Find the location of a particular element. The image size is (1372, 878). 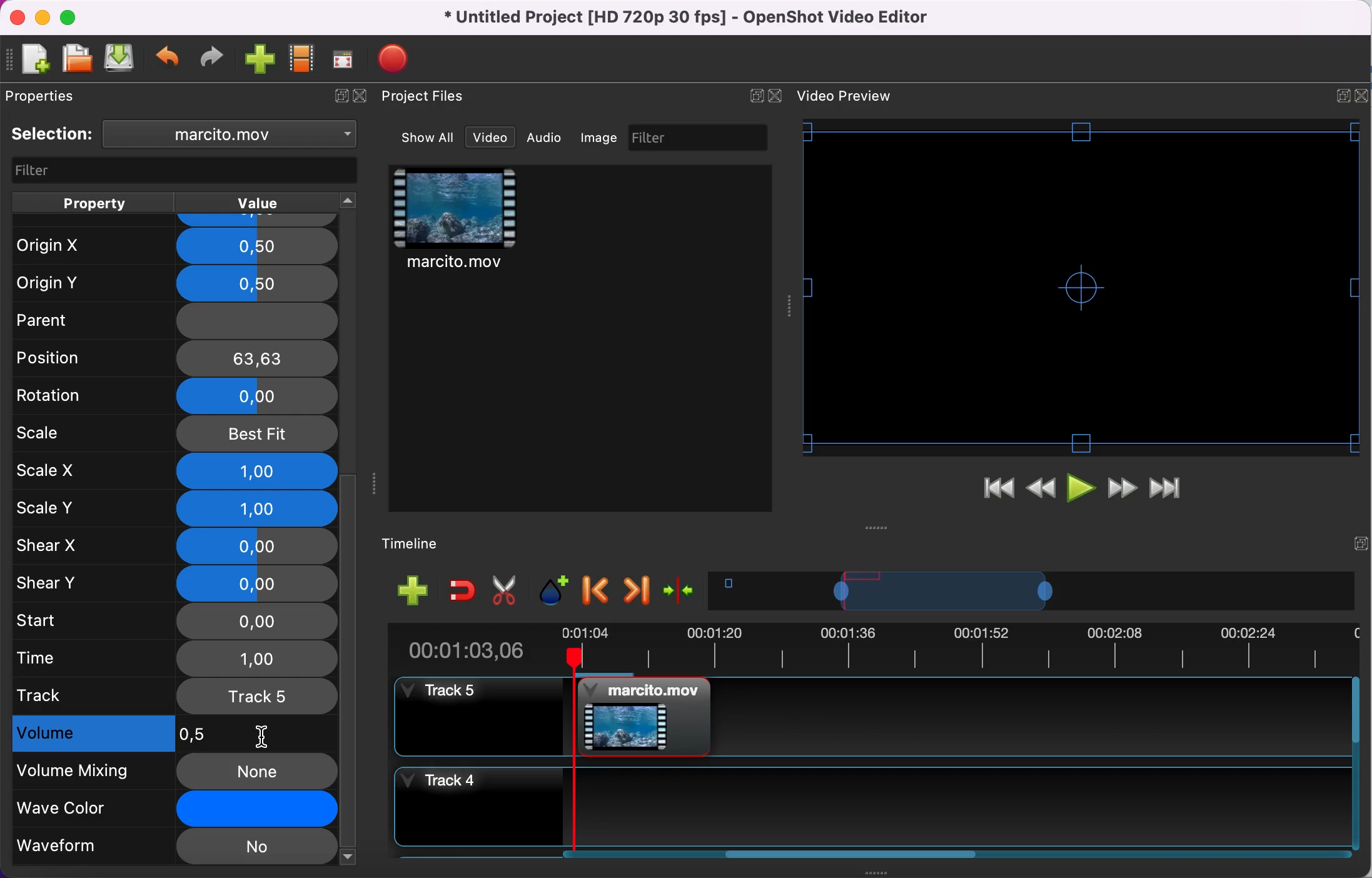

track 4 is located at coordinates (869, 807).